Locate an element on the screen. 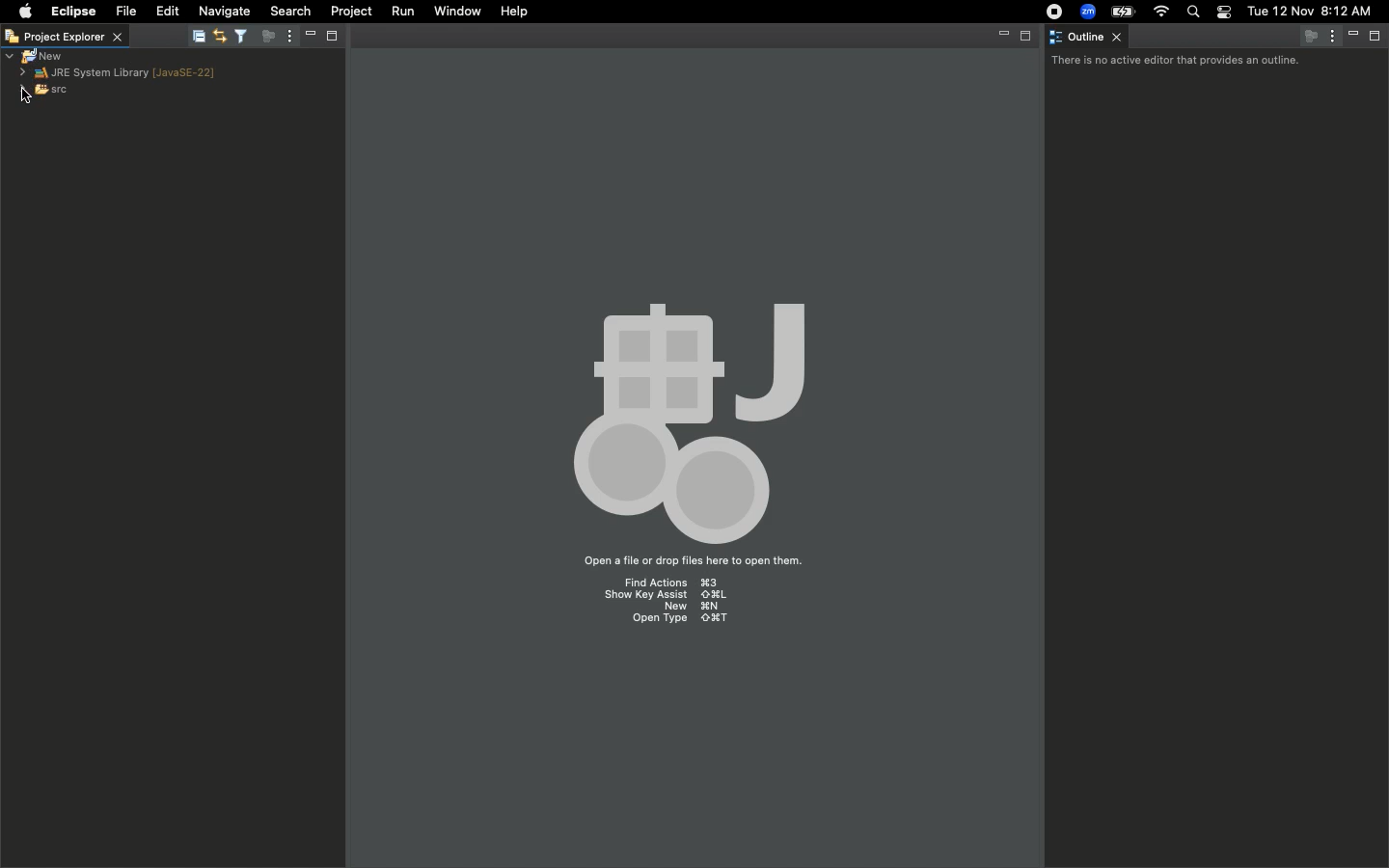 The height and width of the screenshot is (868, 1389). Project is located at coordinates (347, 12).